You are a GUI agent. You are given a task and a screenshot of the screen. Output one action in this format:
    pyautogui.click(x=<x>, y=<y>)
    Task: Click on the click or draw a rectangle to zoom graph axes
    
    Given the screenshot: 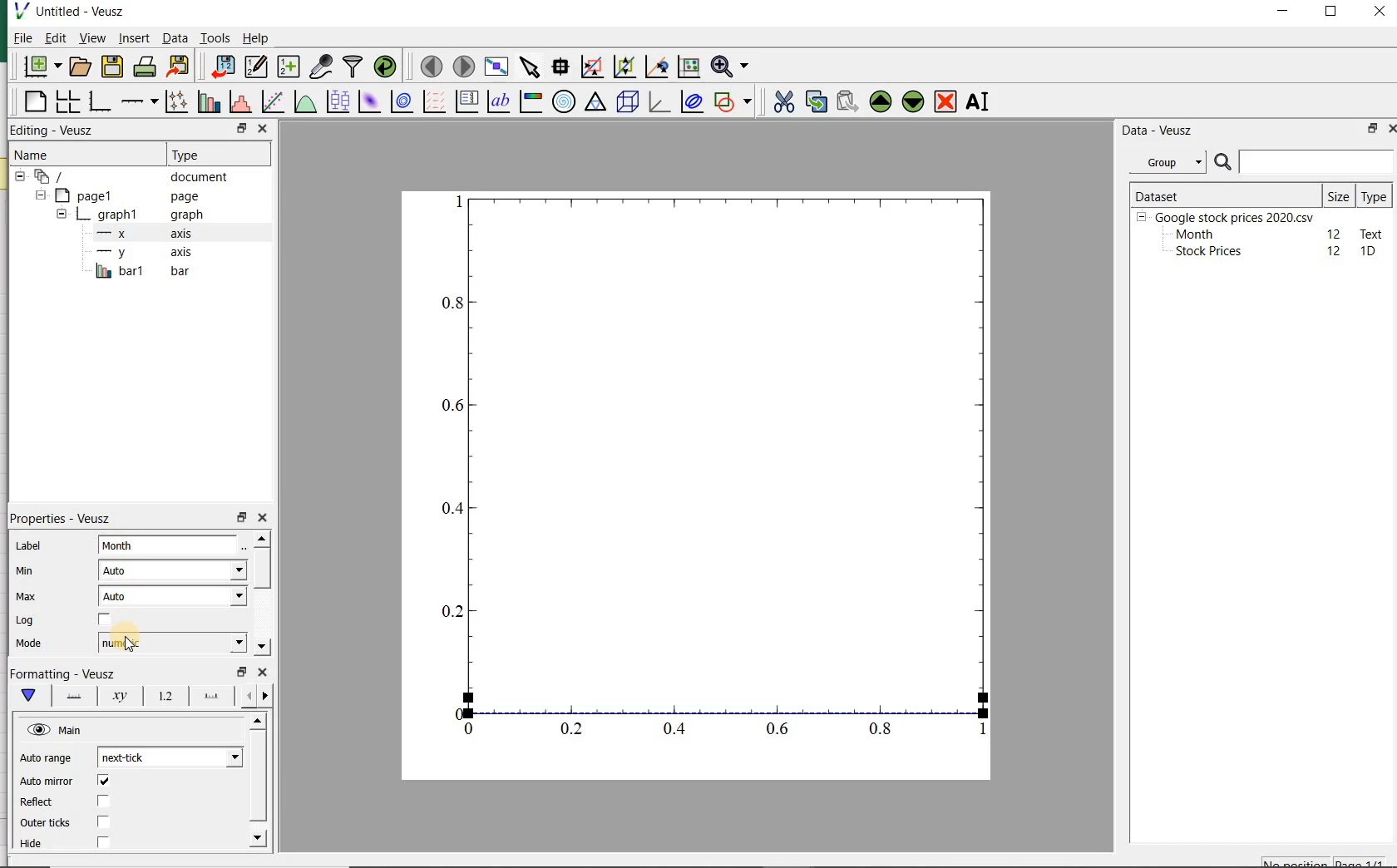 What is the action you would take?
    pyautogui.click(x=591, y=67)
    